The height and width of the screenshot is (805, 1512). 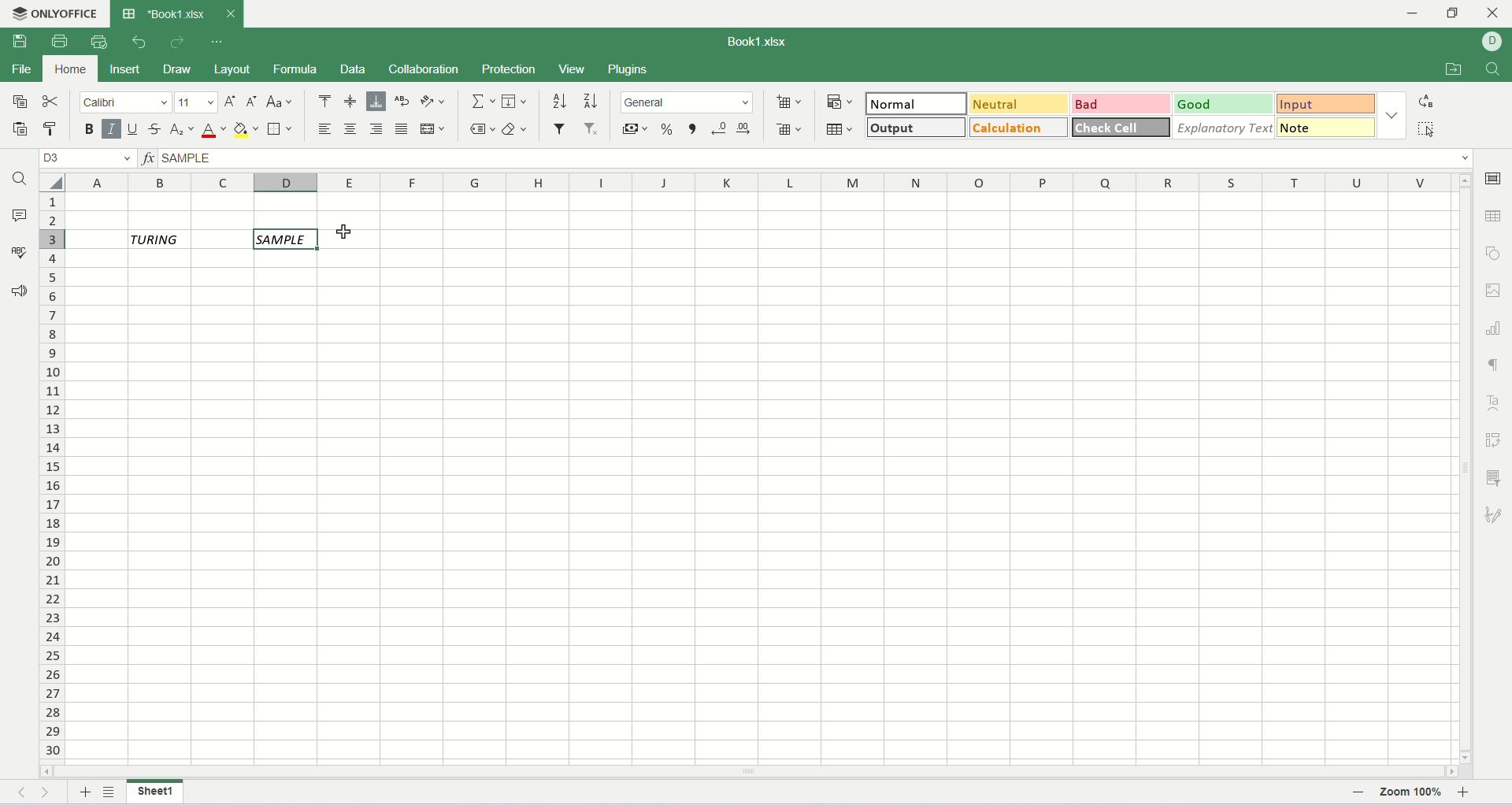 I want to click on minimize, so click(x=1420, y=13).